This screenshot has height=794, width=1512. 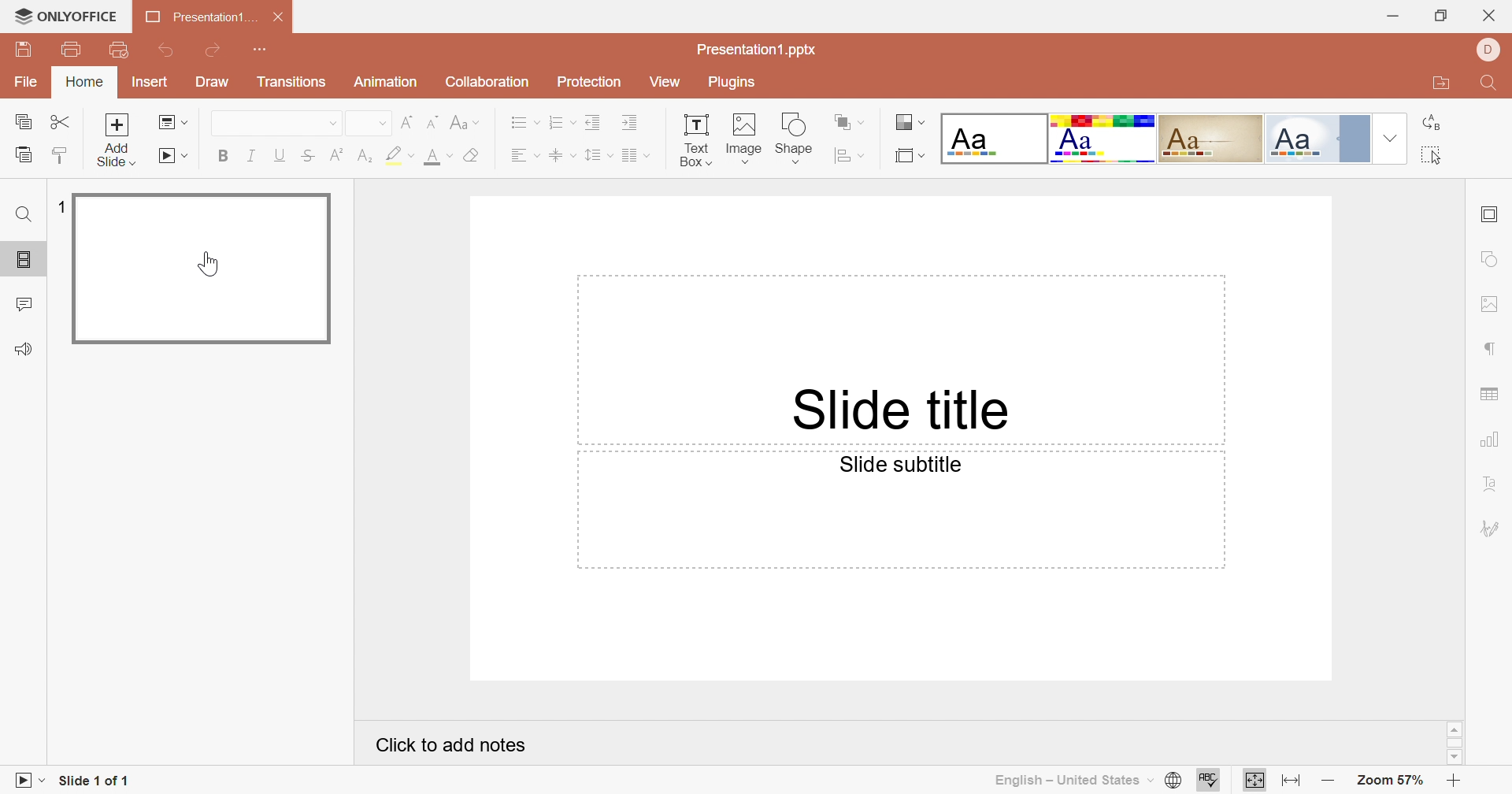 What do you see at coordinates (1438, 83) in the screenshot?
I see `Open file location` at bounding box center [1438, 83].